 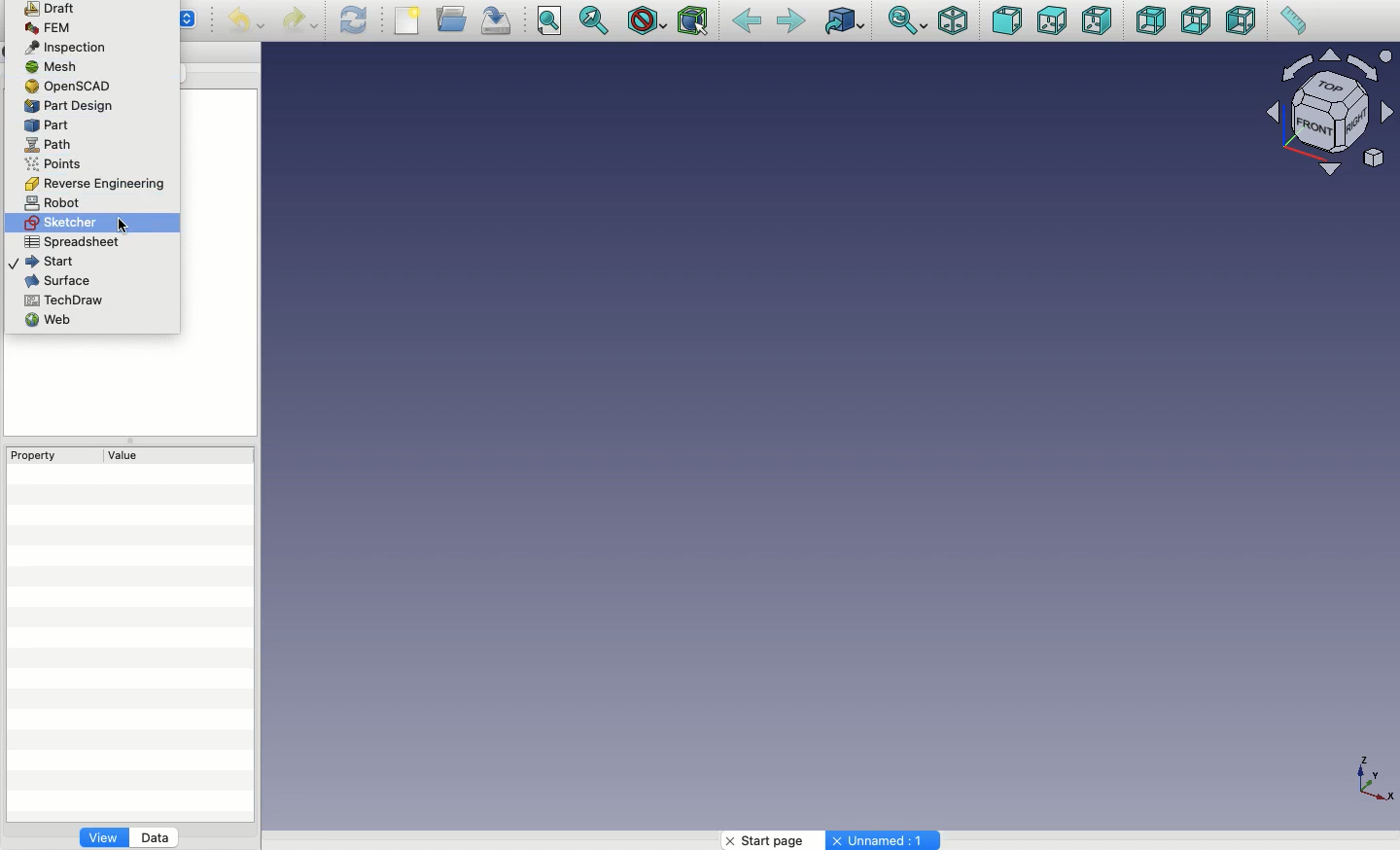 I want to click on Web, so click(x=56, y=320).